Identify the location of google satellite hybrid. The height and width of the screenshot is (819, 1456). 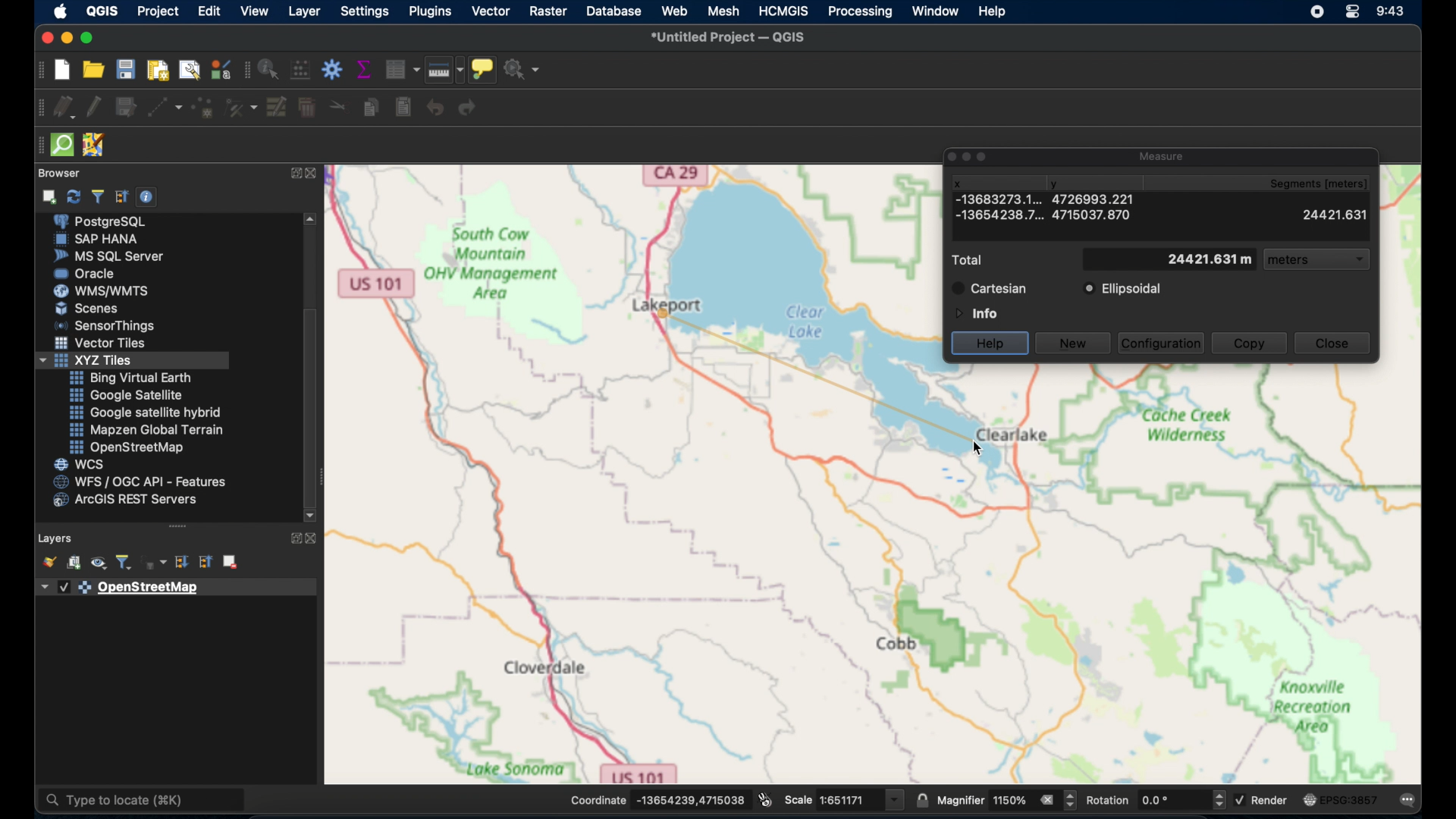
(146, 412).